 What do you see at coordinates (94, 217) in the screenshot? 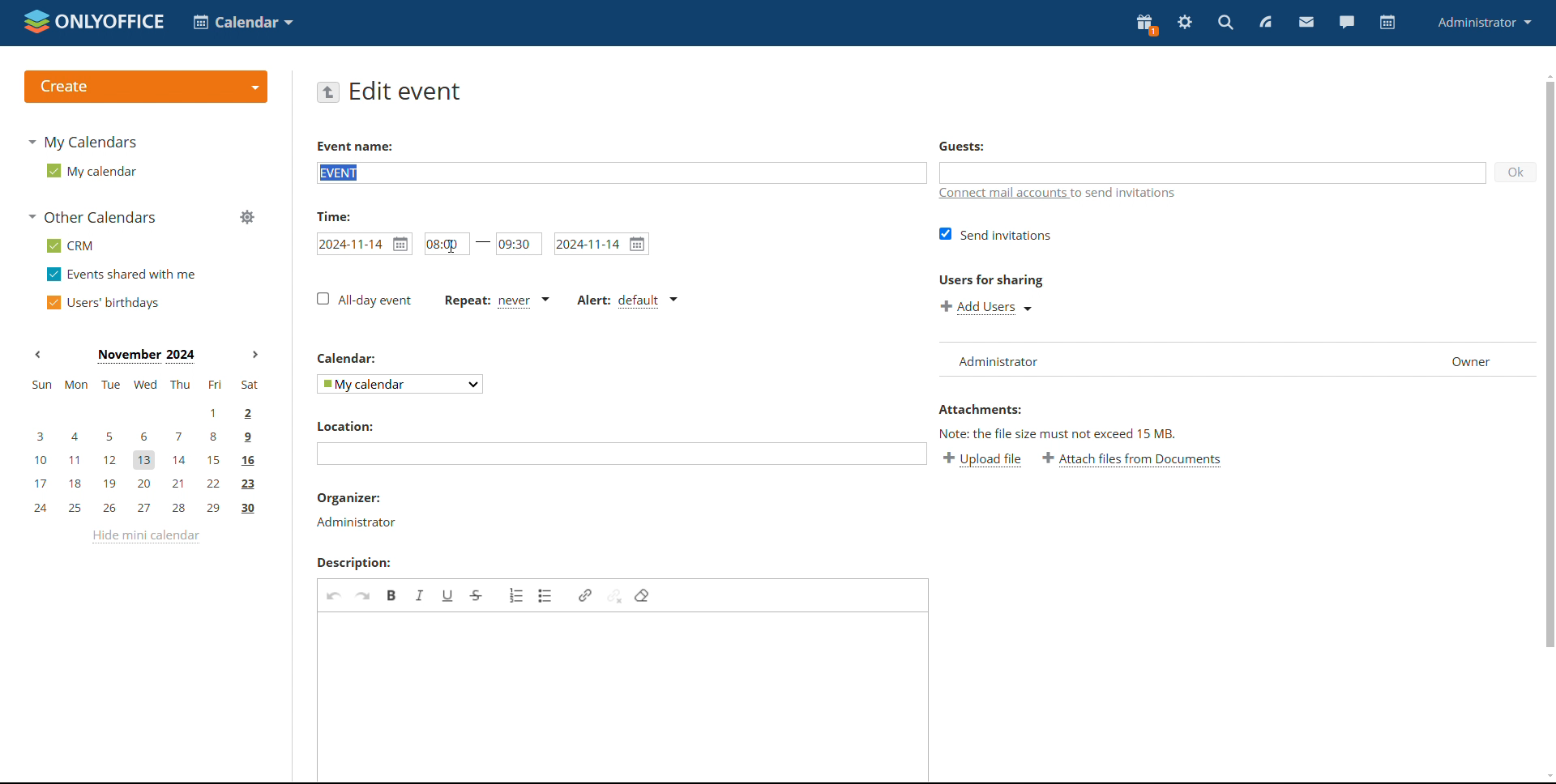
I see `other calendars` at bounding box center [94, 217].